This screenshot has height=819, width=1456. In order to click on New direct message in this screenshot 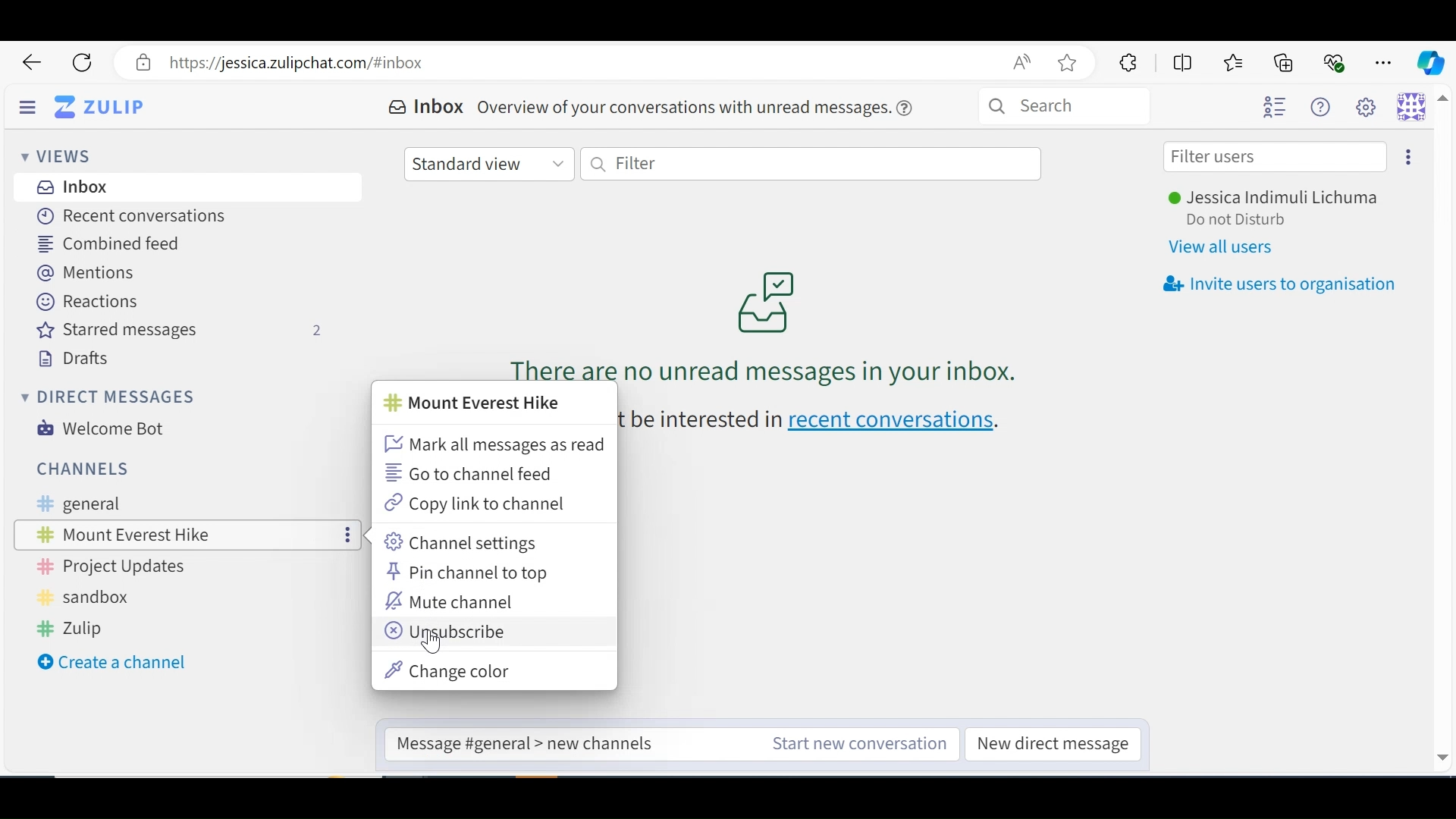, I will do `click(1052, 745)`.